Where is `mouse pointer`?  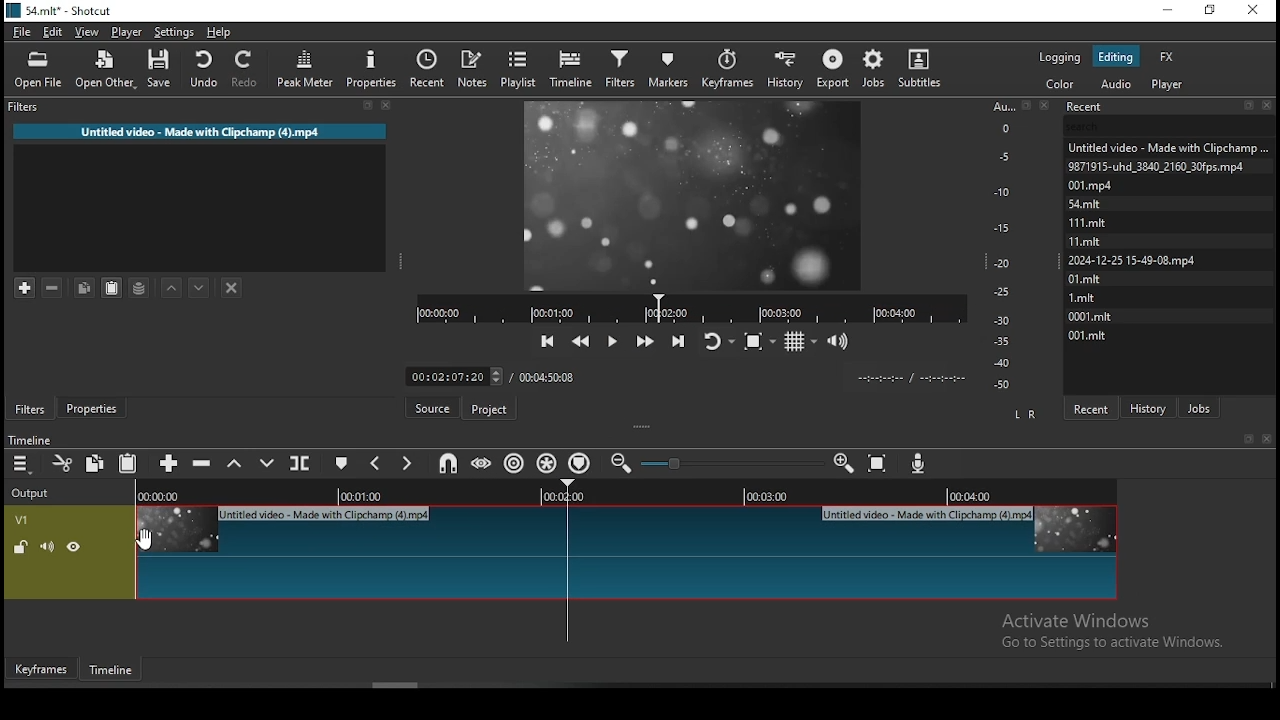 mouse pointer is located at coordinates (151, 539).